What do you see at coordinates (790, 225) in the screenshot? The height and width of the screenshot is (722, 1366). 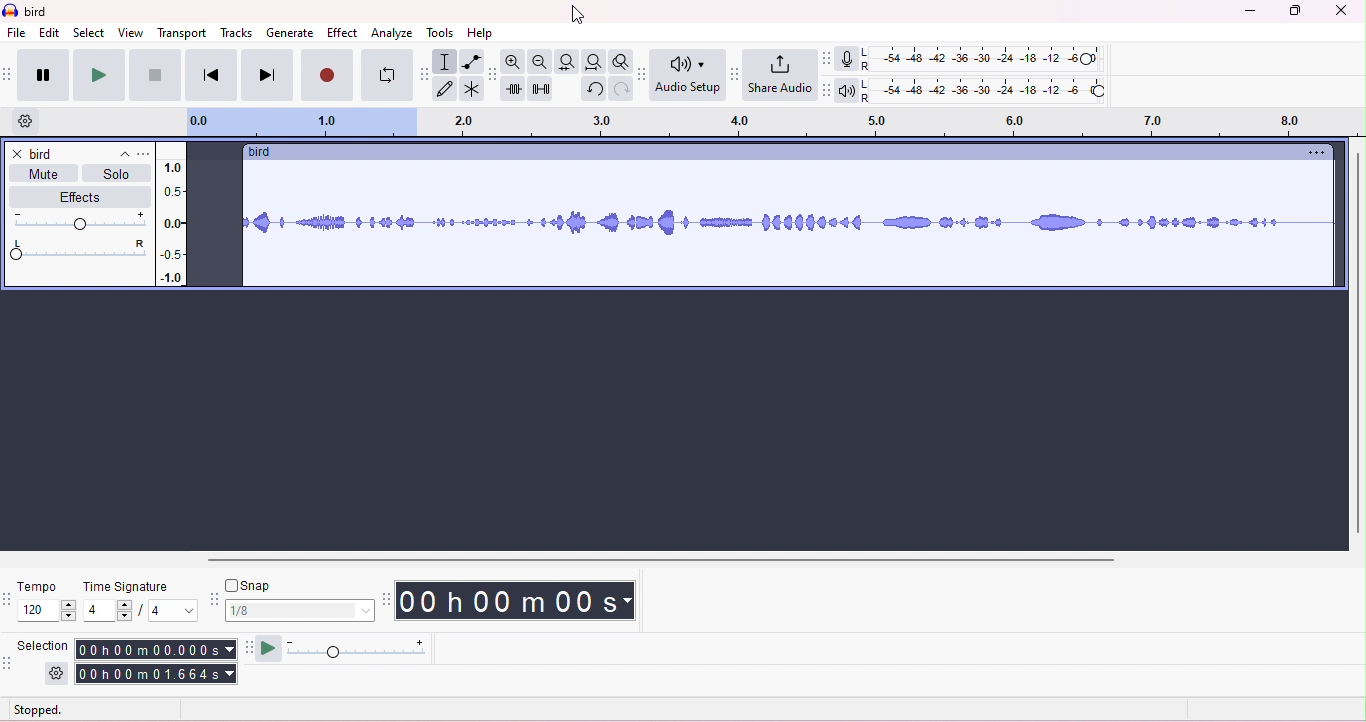 I see `waveform` at bounding box center [790, 225].